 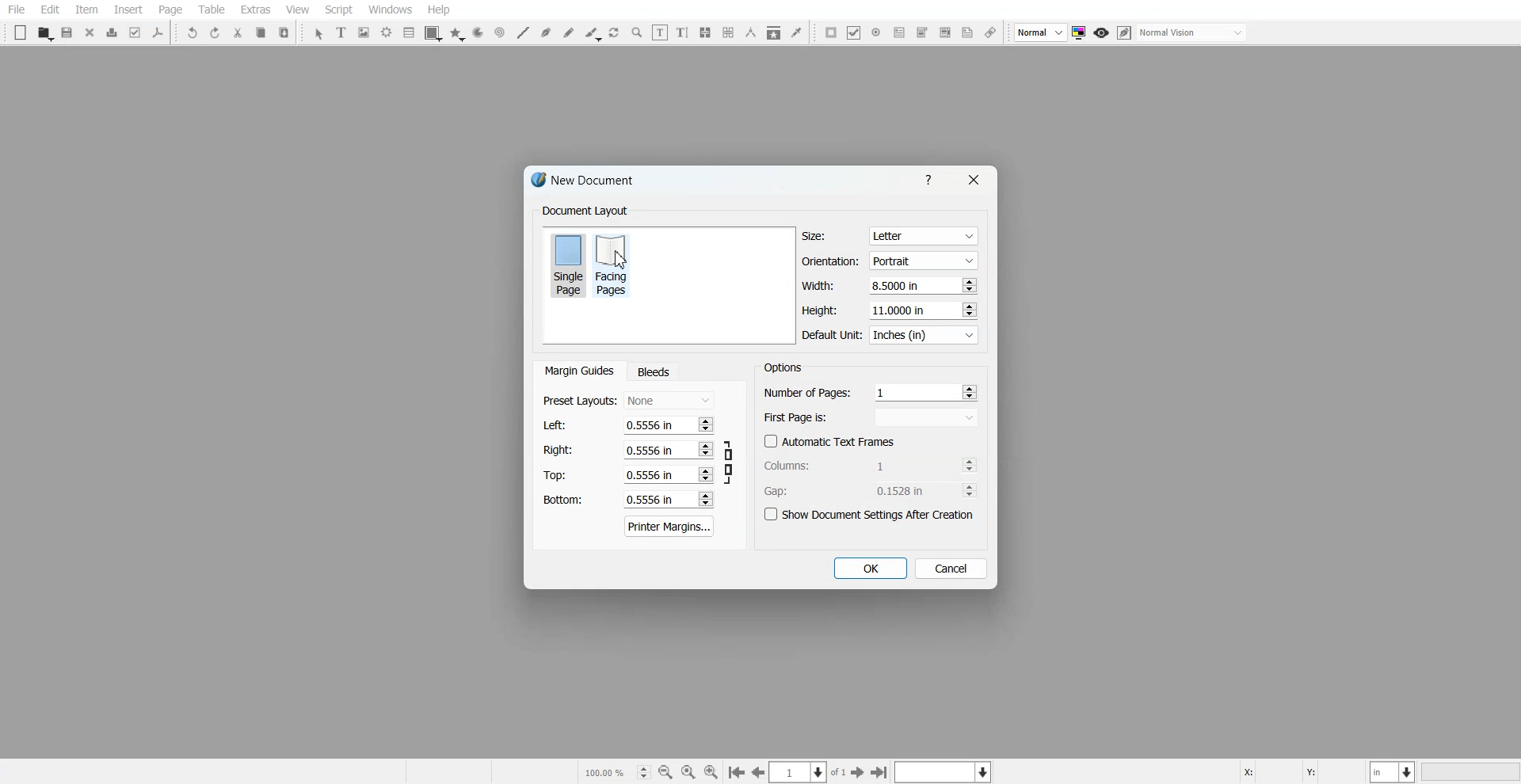 I want to click on Help, so click(x=932, y=179).